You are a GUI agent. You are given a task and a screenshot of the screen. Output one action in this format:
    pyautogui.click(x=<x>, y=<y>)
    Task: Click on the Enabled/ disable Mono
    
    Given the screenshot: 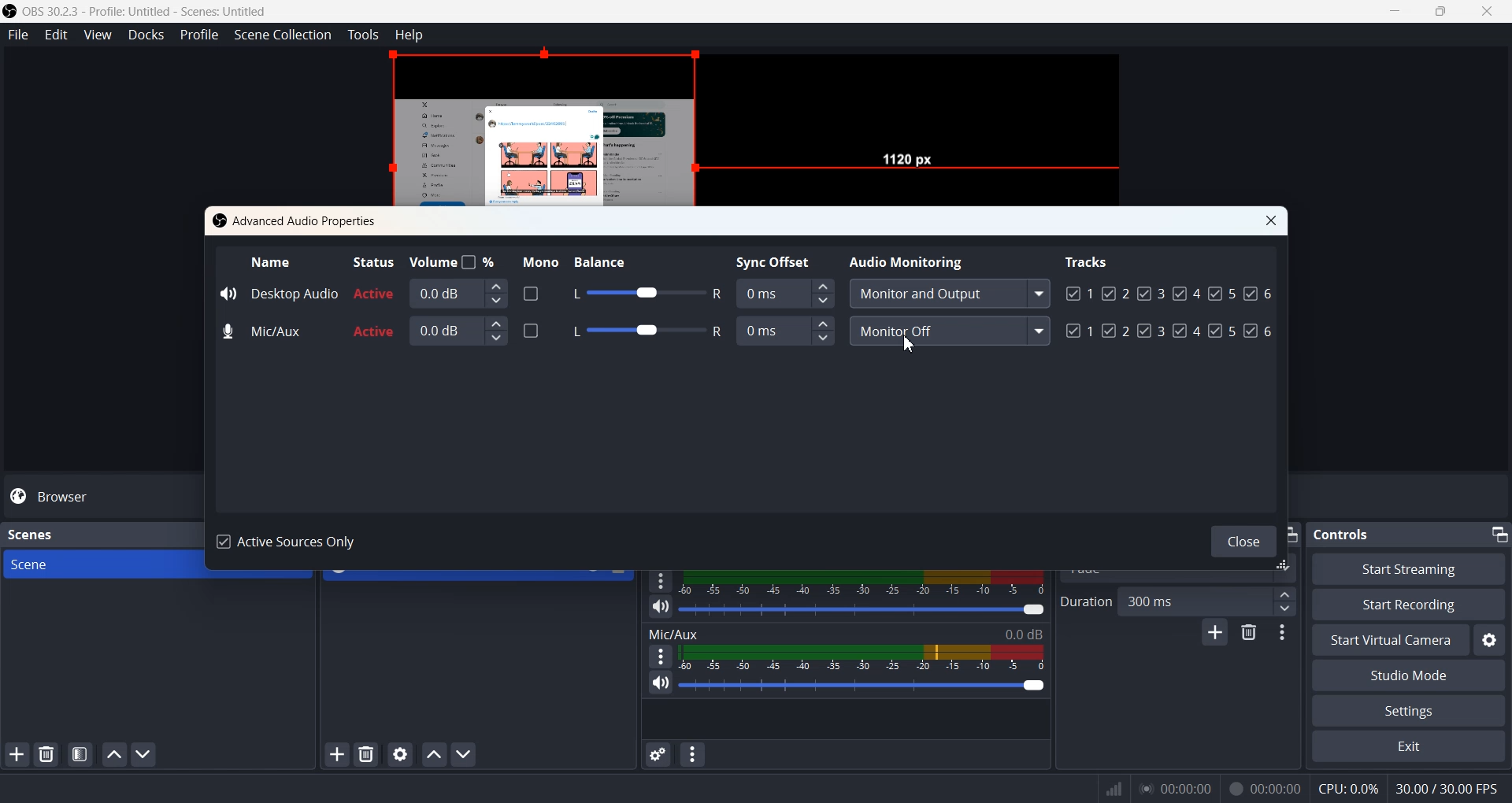 What is the action you would take?
    pyautogui.click(x=531, y=329)
    